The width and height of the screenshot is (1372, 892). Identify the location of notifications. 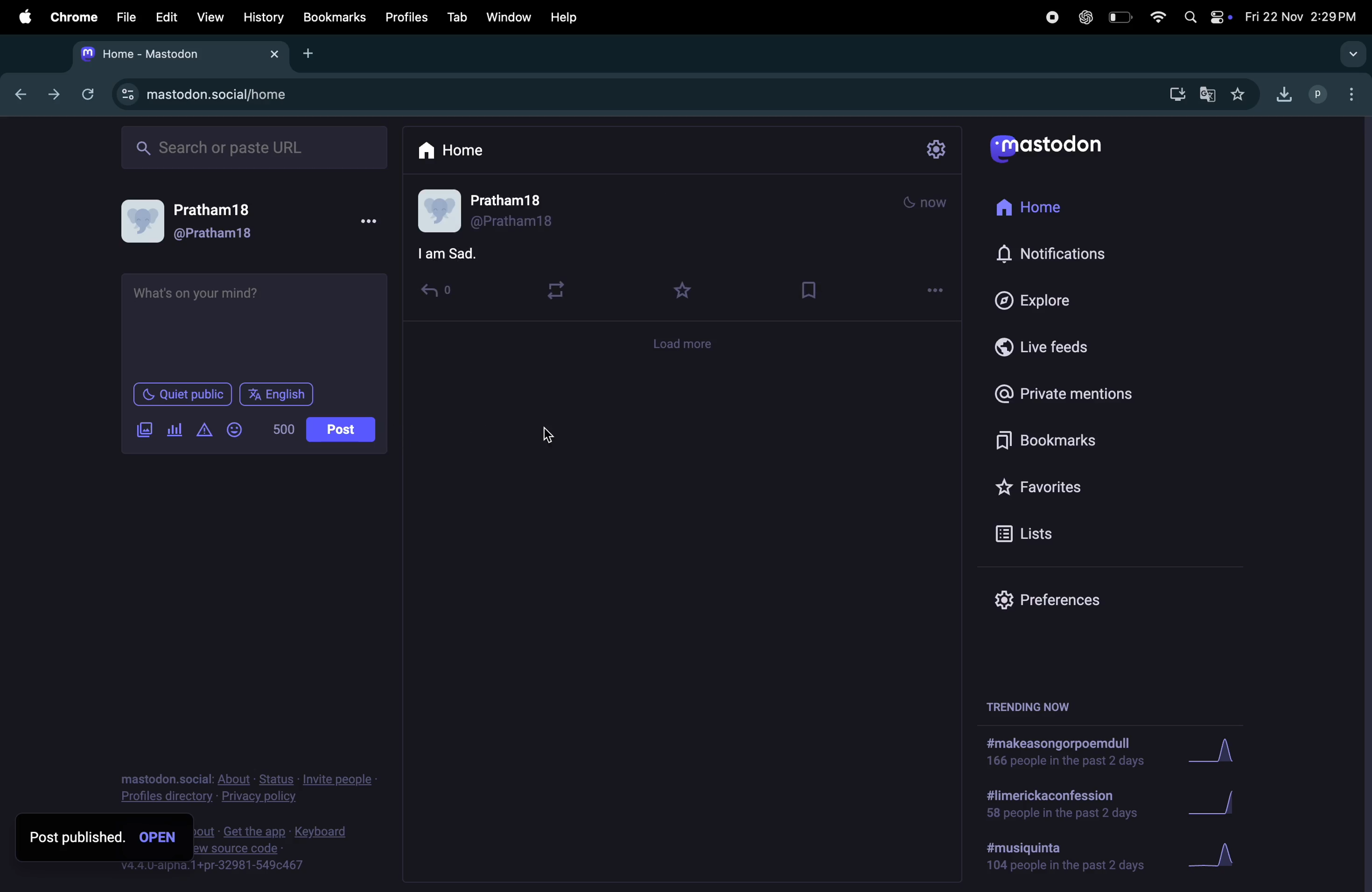
(1060, 254).